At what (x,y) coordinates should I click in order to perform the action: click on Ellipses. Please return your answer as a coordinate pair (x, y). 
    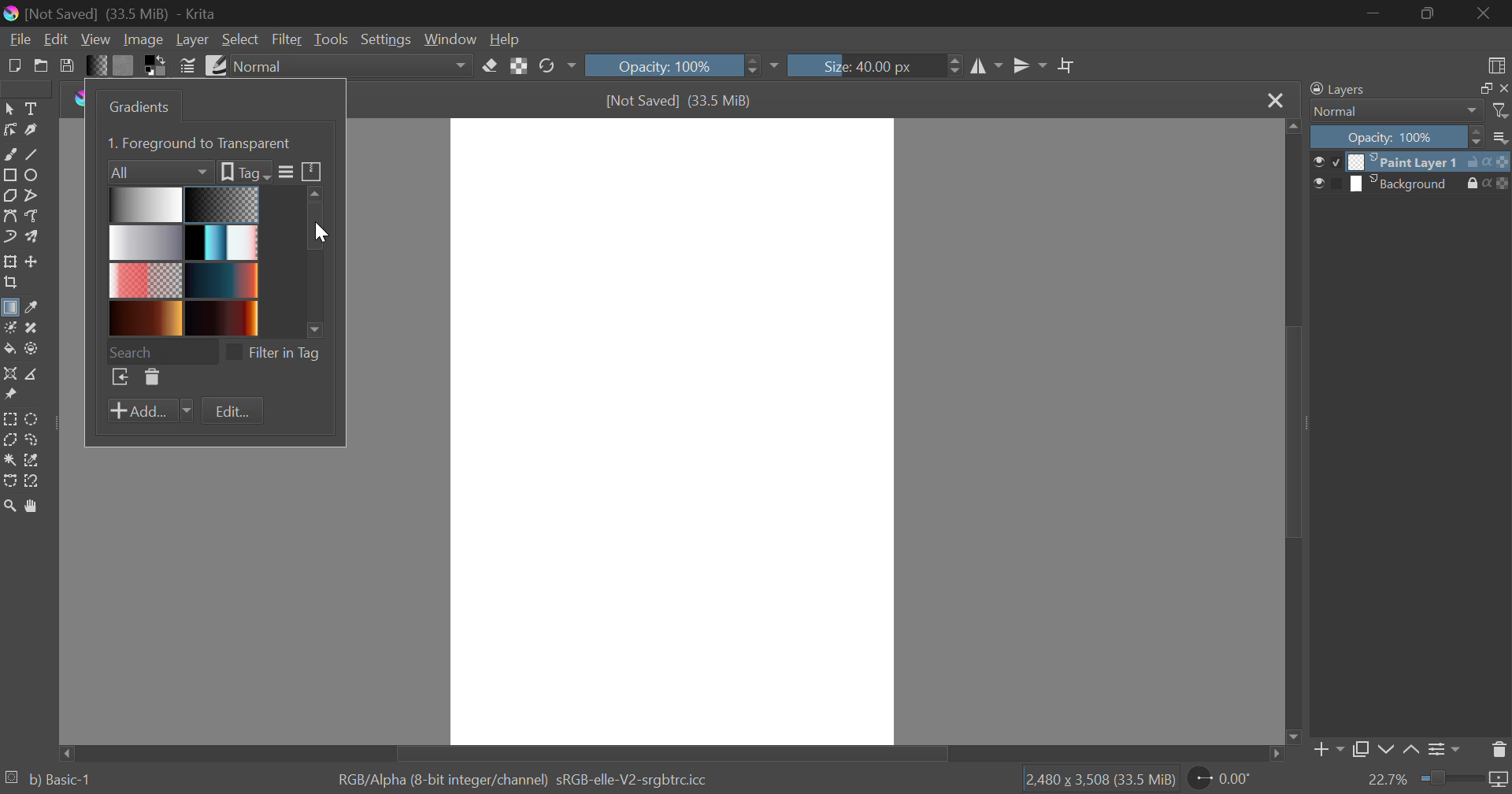
    Looking at the image, I should click on (32, 175).